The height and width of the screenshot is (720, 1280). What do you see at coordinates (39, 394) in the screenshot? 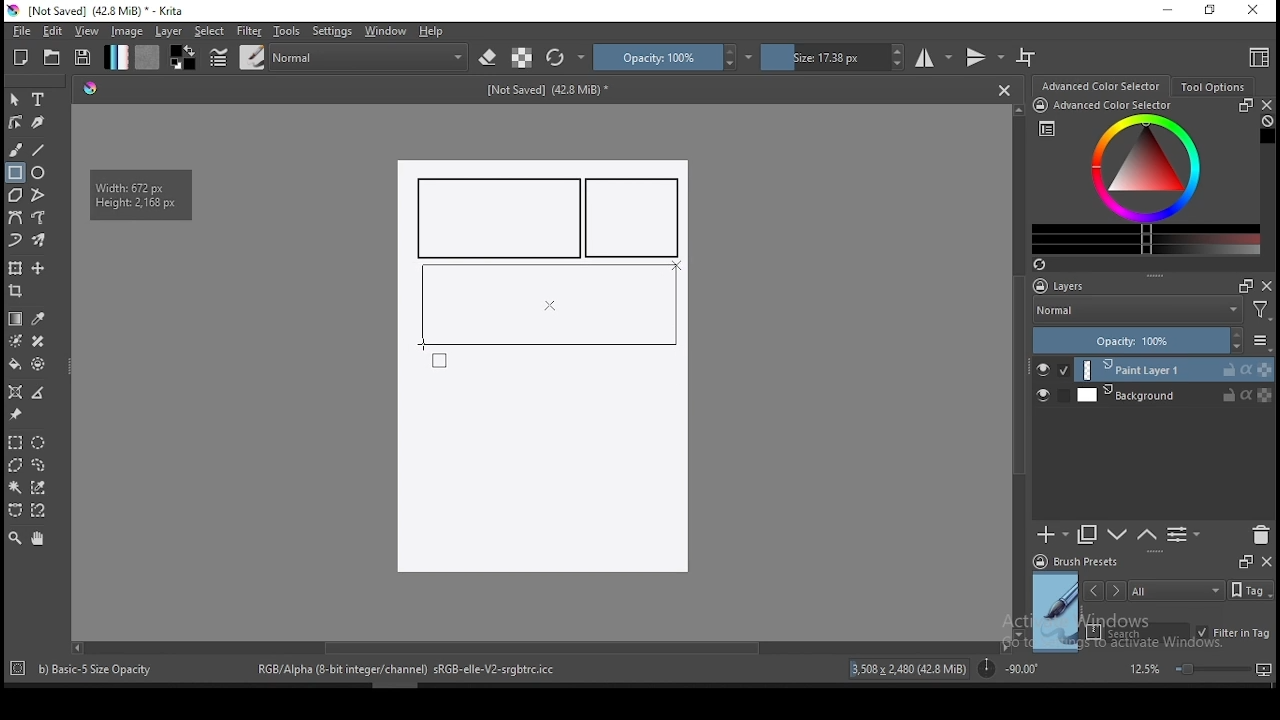
I see `measure distance between two points` at bounding box center [39, 394].